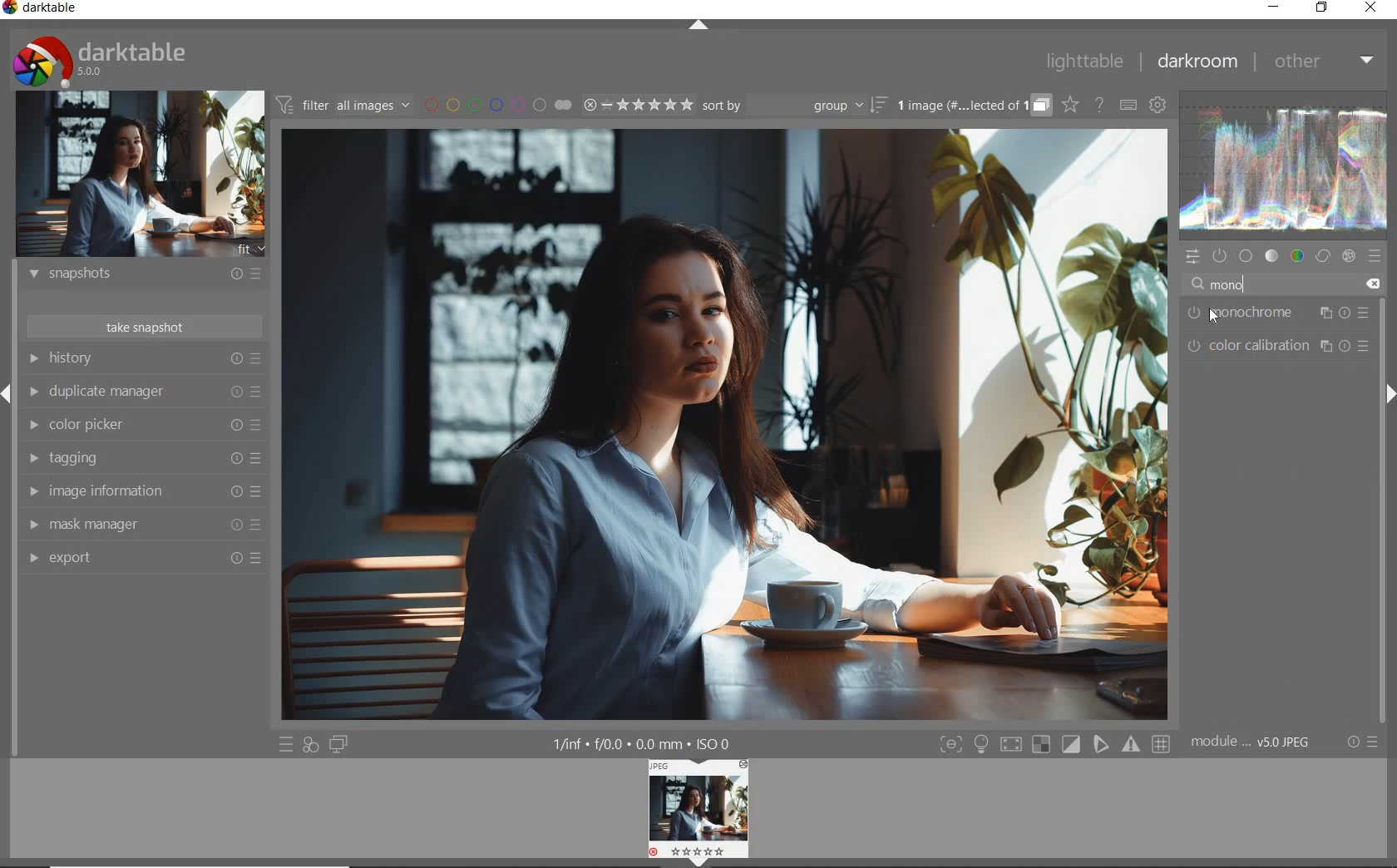  What do you see at coordinates (1128, 105) in the screenshot?
I see `set keyboard shortcuts` at bounding box center [1128, 105].